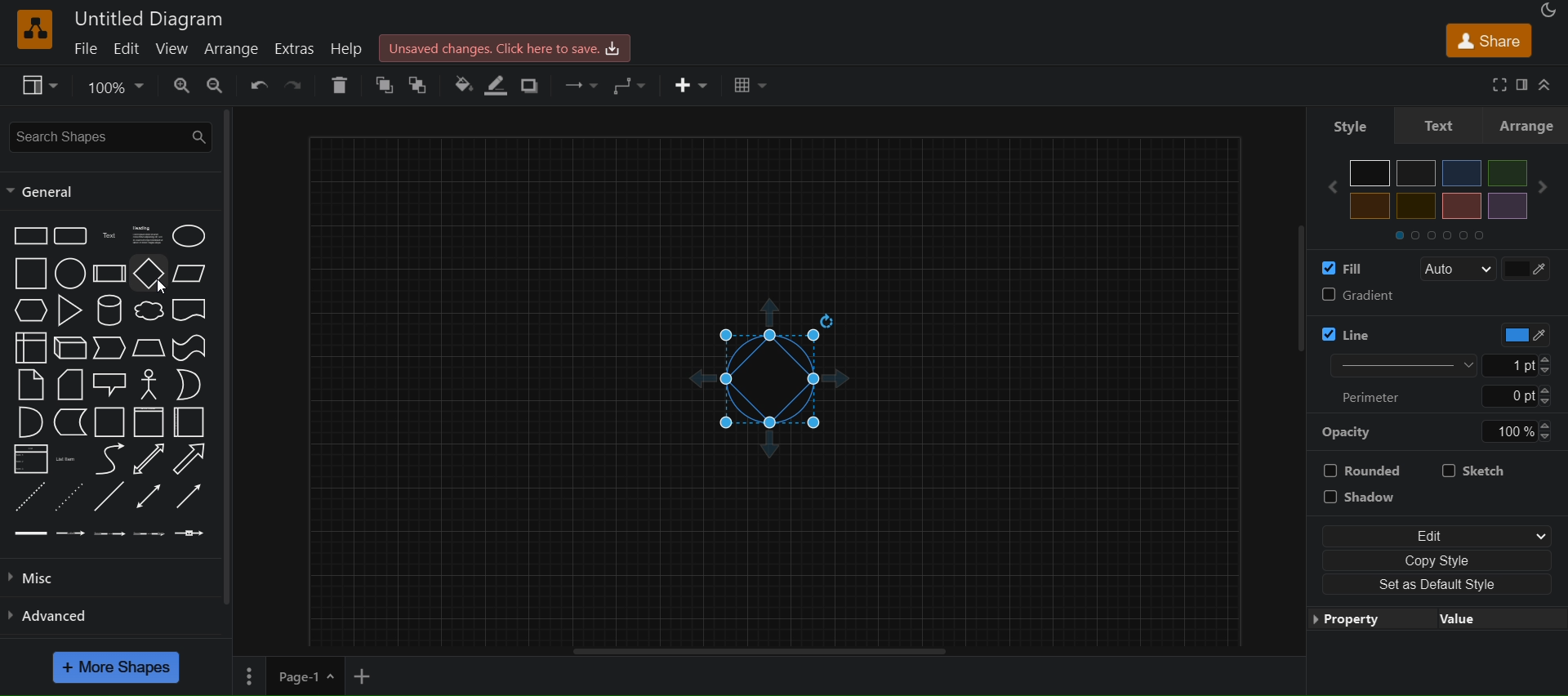 This screenshot has height=696, width=1568. What do you see at coordinates (1453, 234) in the screenshot?
I see `sections` at bounding box center [1453, 234].